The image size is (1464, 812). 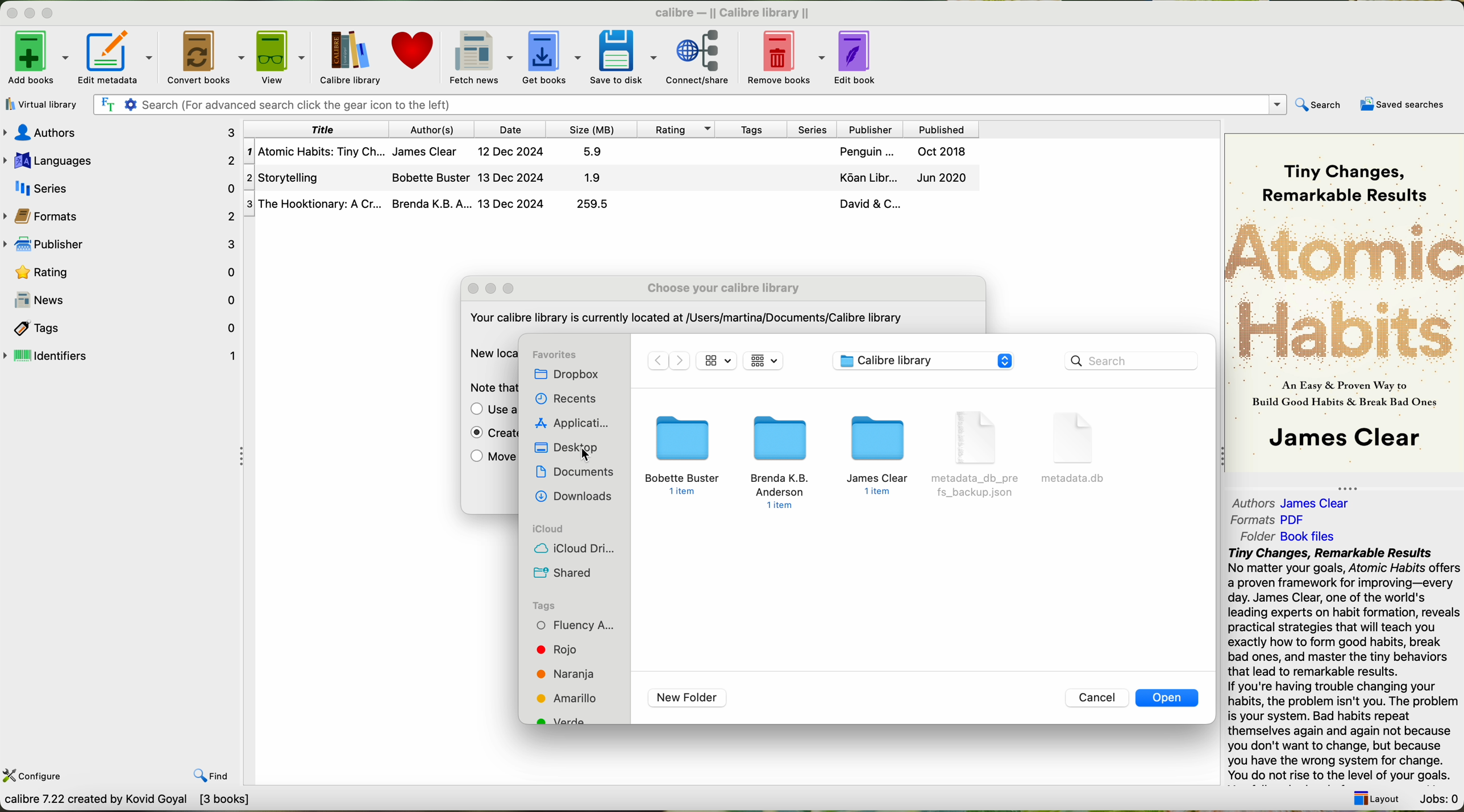 I want to click on As Easy & Proven Way toBuild Good Habits & Break Bad Ones, so click(x=1338, y=395).